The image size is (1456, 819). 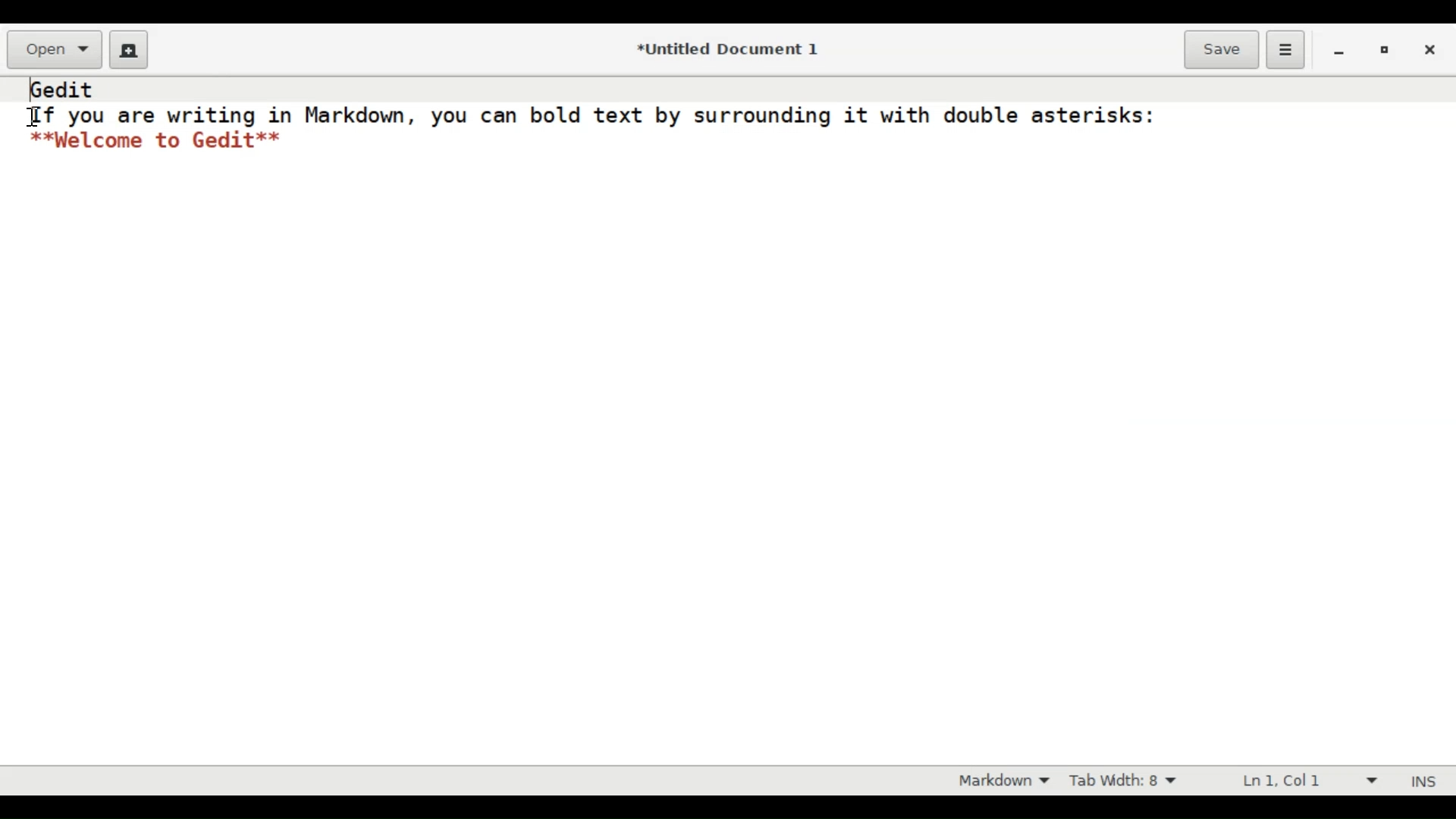 I want to click on If you are writing in Markdown, you can bold text by surrounding it with double asterisks:, so click(x=593, y=115).